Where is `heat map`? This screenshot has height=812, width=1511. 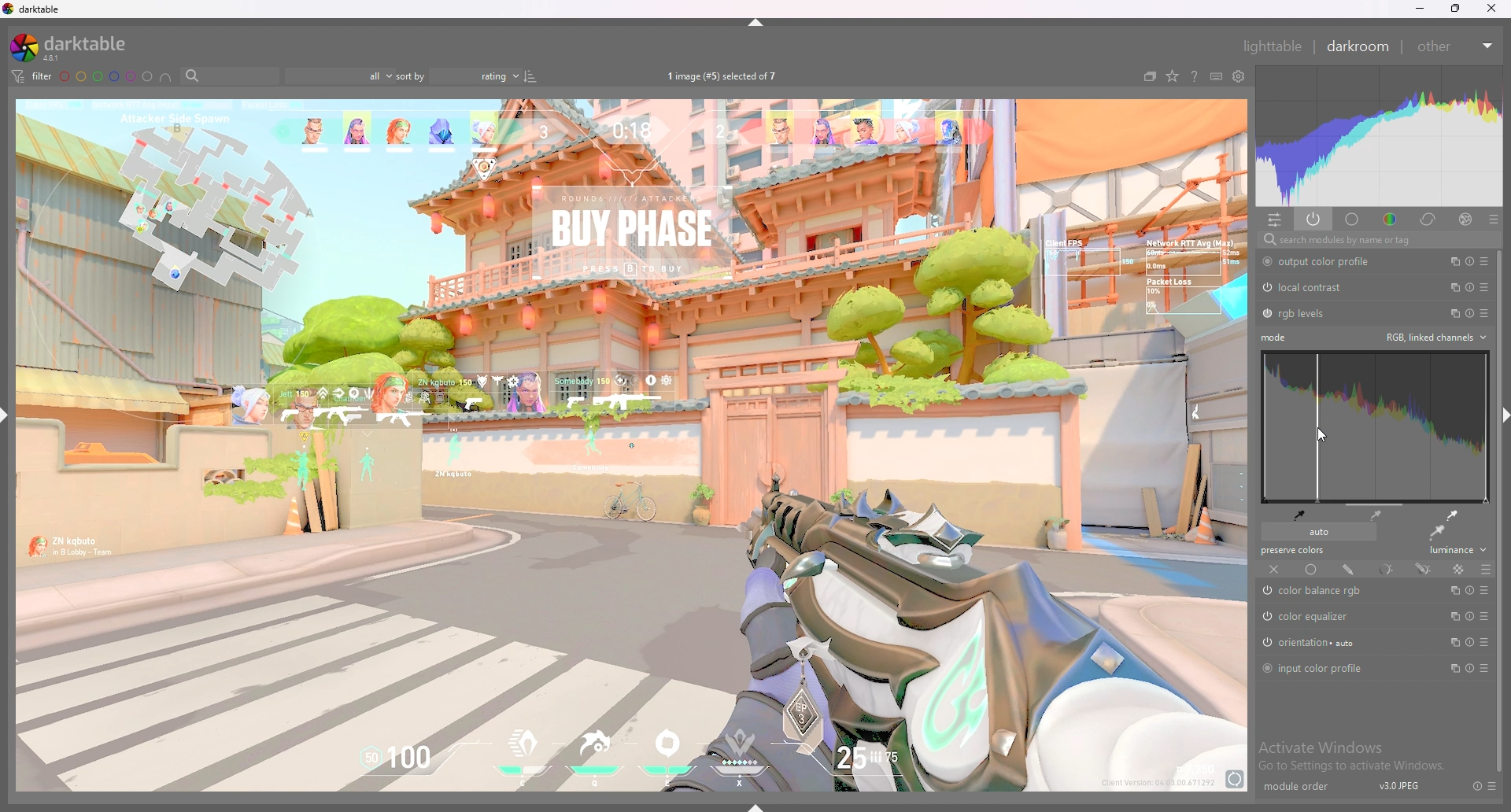
heat map is located at coordinates (1378, 135).